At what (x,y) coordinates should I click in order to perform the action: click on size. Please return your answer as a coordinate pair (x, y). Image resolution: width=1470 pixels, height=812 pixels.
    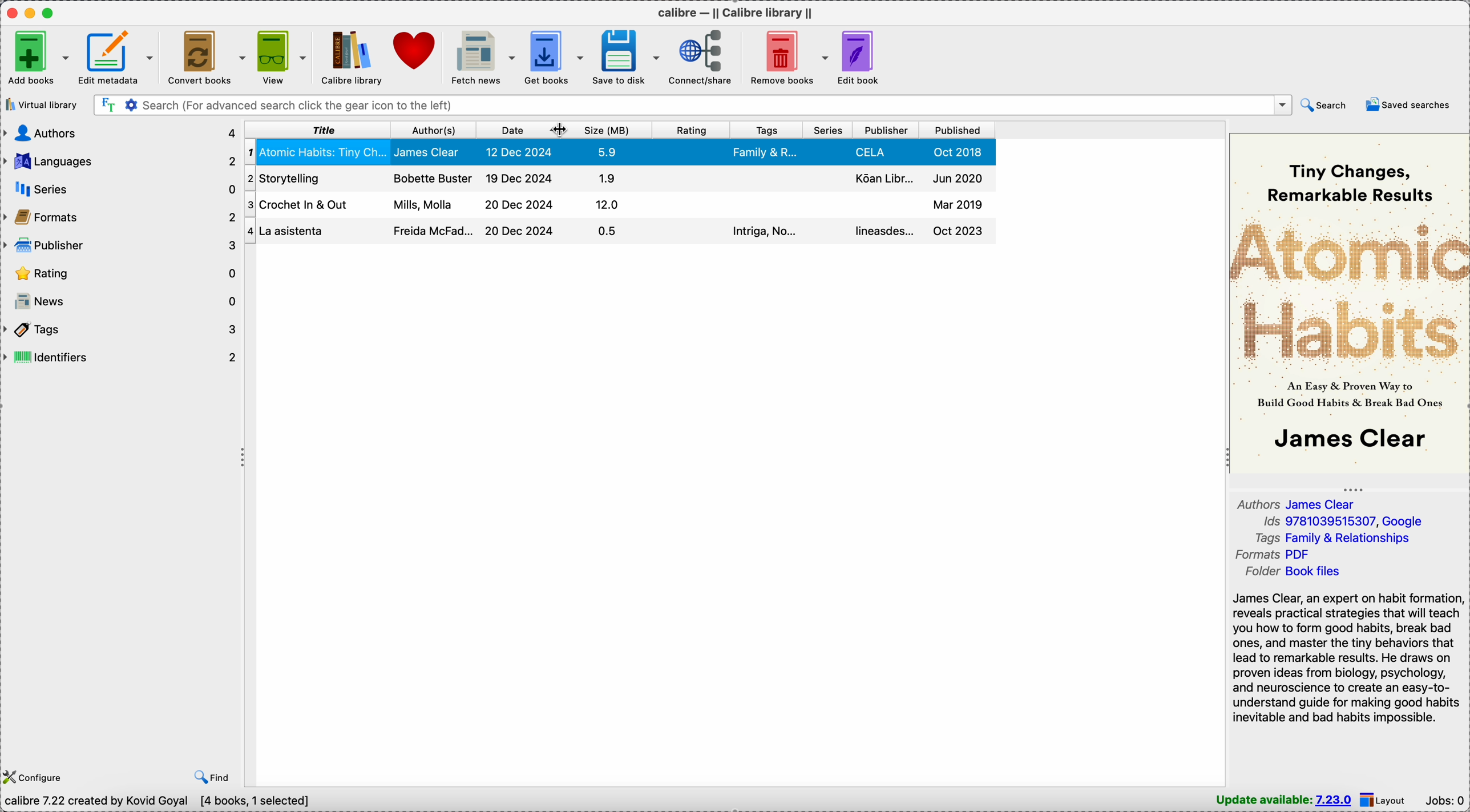
    Looking at the image, I should click on (613, 130).